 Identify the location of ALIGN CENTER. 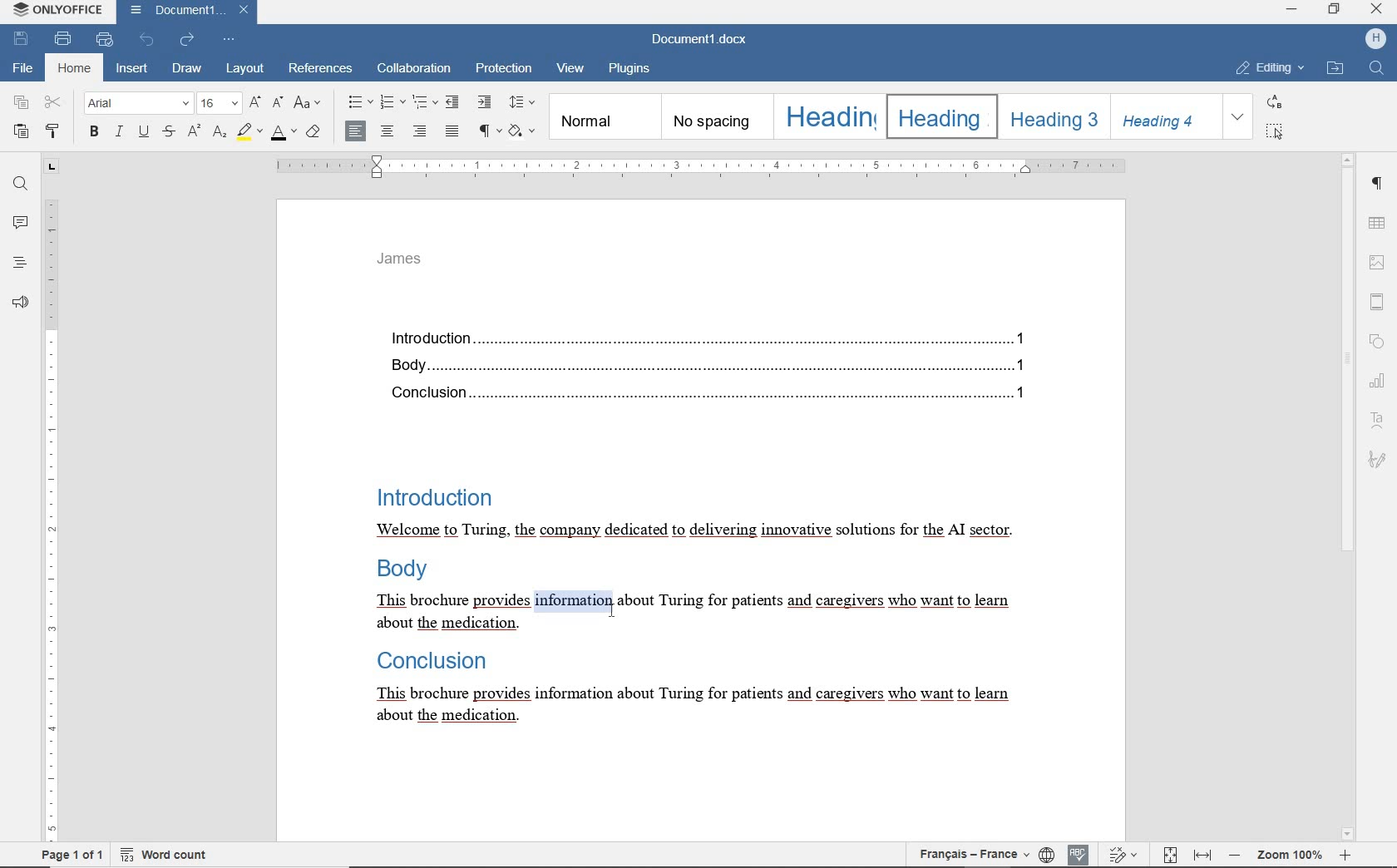
(390, 131).